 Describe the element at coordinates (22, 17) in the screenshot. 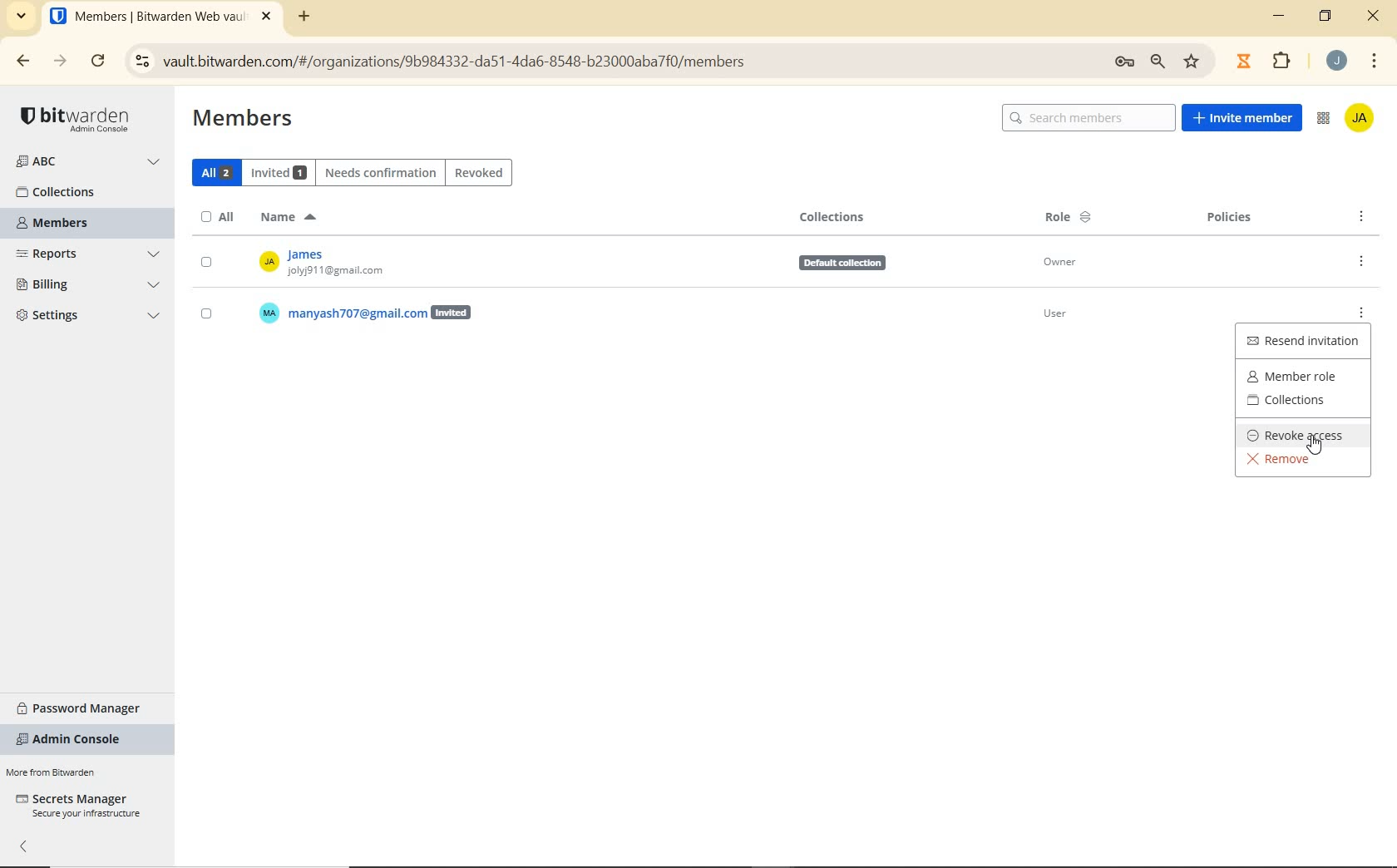

I see `SEARCH TABS` at that location.